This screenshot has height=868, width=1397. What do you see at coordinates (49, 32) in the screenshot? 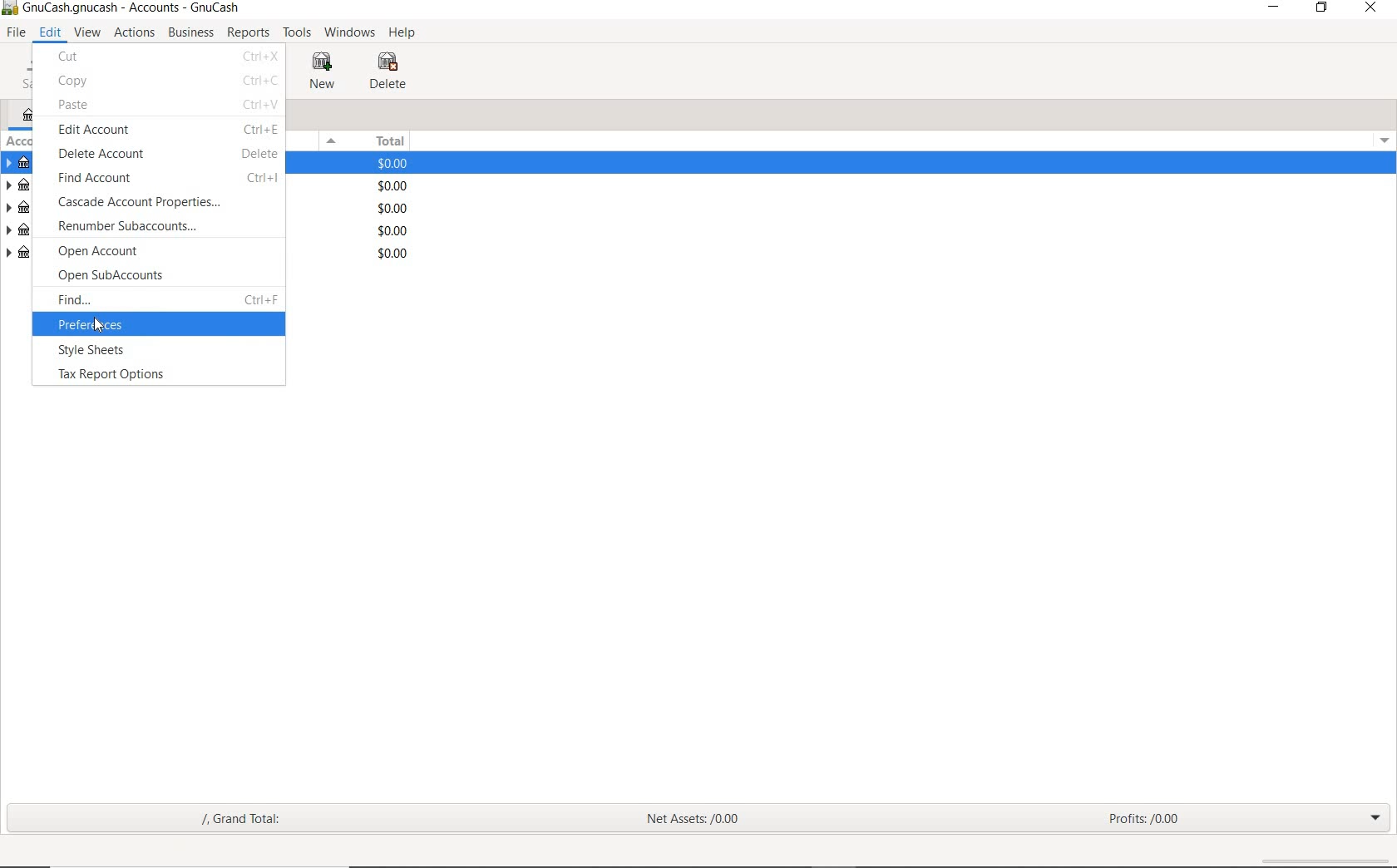
I see `EDIT` at bounding box center [49, 32].